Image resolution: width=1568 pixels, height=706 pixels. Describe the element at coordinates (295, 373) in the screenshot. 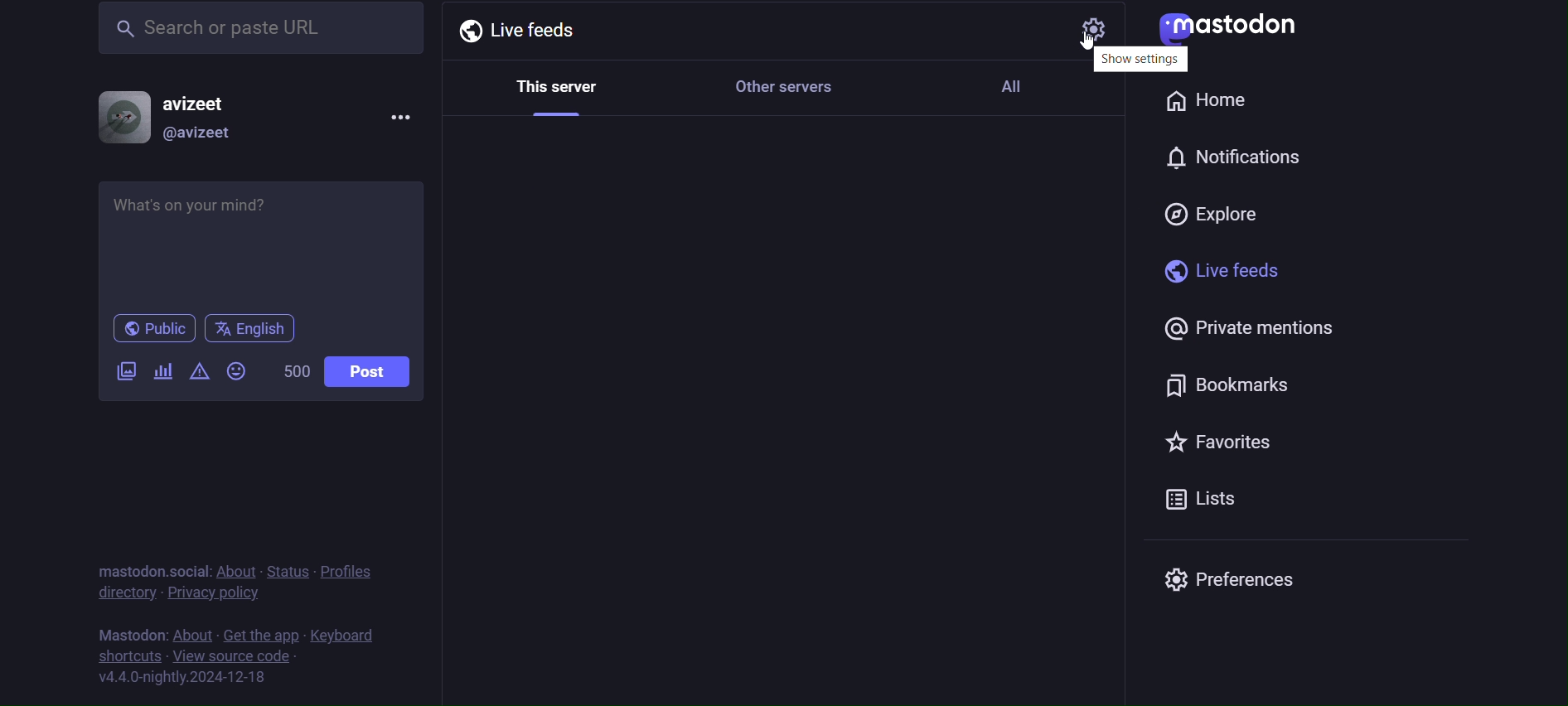

I see `500` at that location.